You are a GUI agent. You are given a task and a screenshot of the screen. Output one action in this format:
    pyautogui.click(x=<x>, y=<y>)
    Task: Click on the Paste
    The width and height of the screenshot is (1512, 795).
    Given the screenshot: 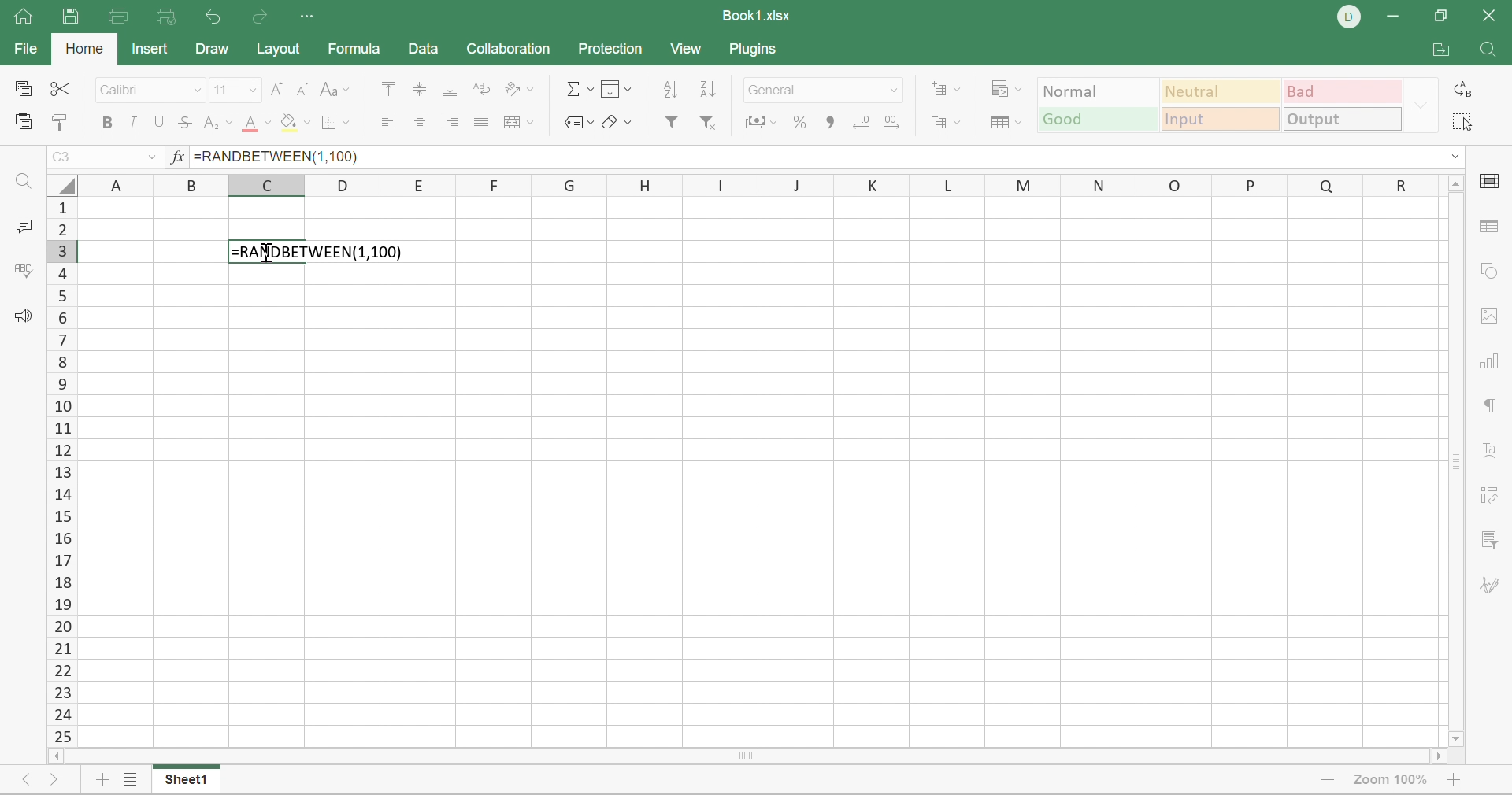 What is the action you would take?
    pyautogui.click(x=25, y=120)
    